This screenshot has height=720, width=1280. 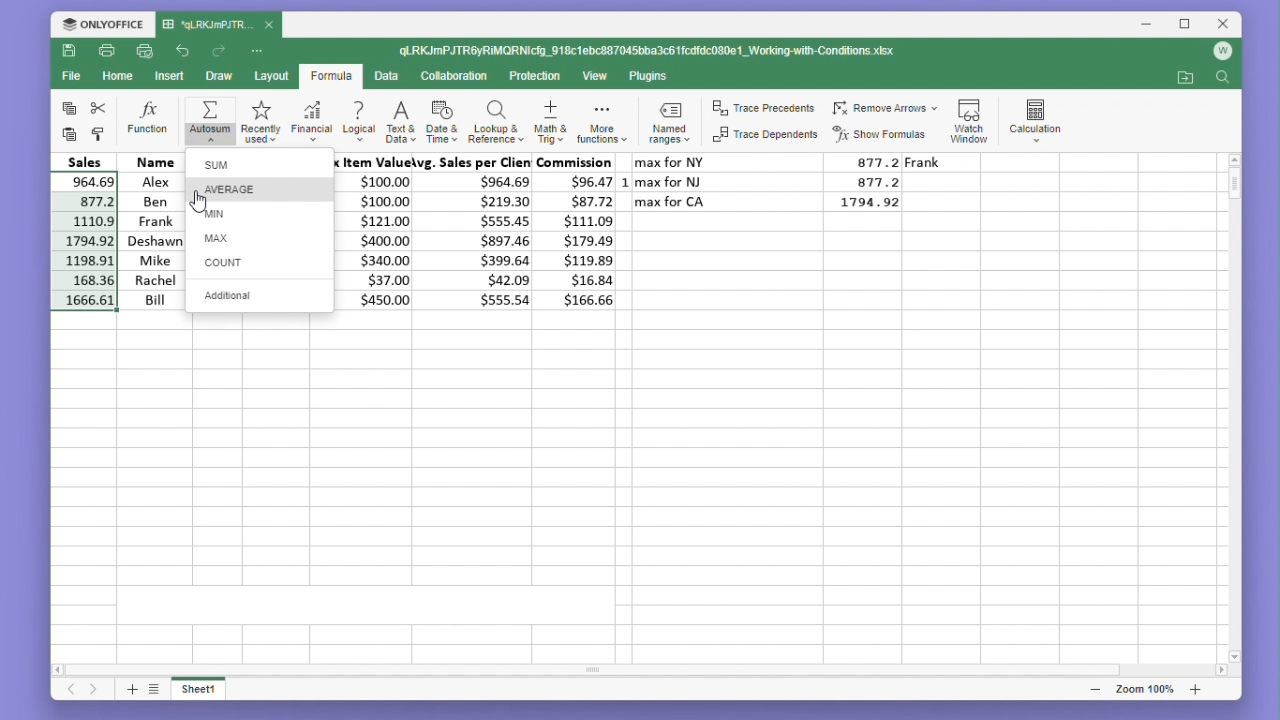 I want to click on Sheet 1, so click(x=209, y=692).